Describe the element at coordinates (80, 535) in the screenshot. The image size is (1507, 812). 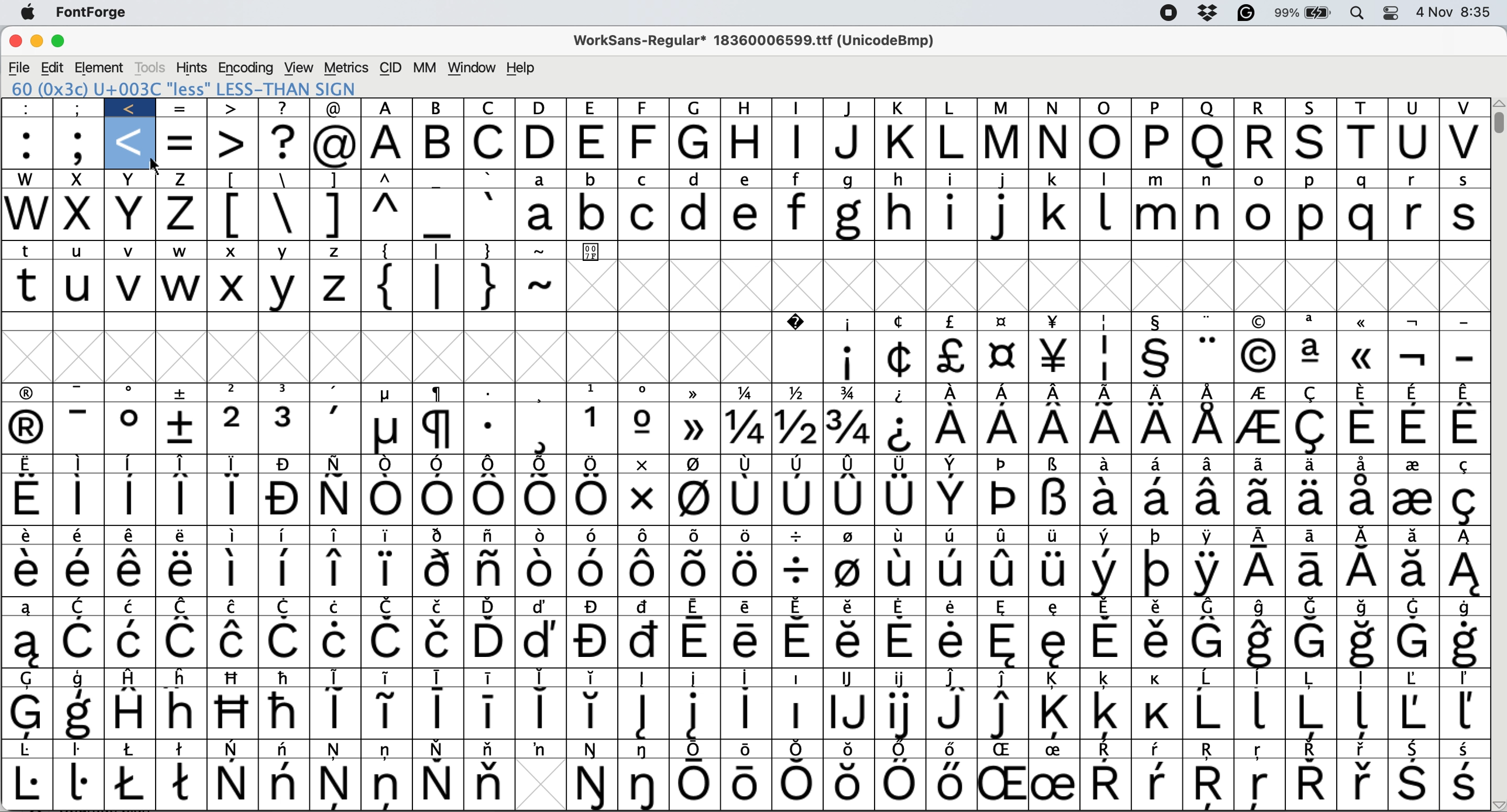
I see `Symbol` at that location.